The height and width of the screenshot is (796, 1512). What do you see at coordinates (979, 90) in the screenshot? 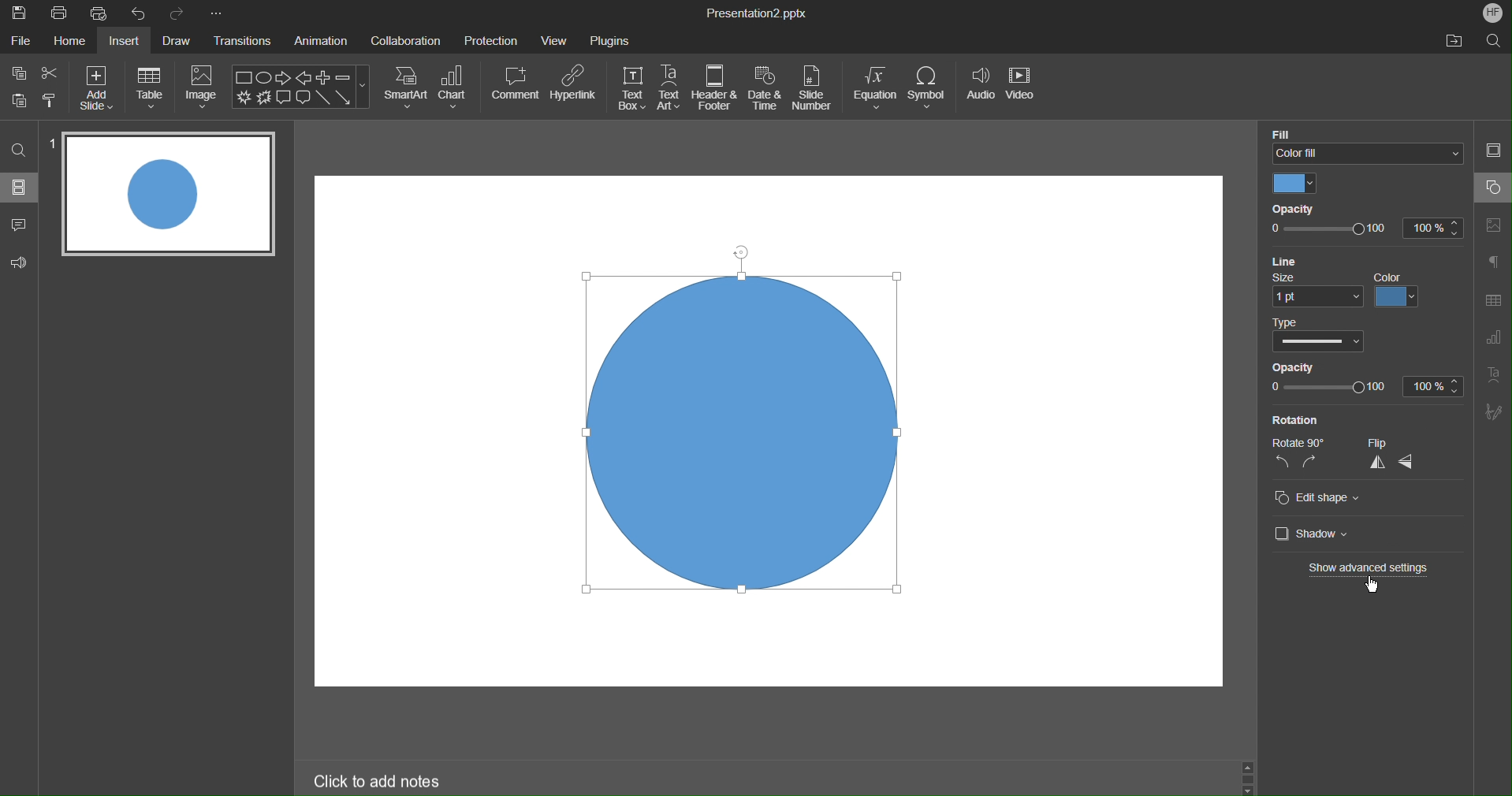
I see `Audio` at bounding box center [979, 90].